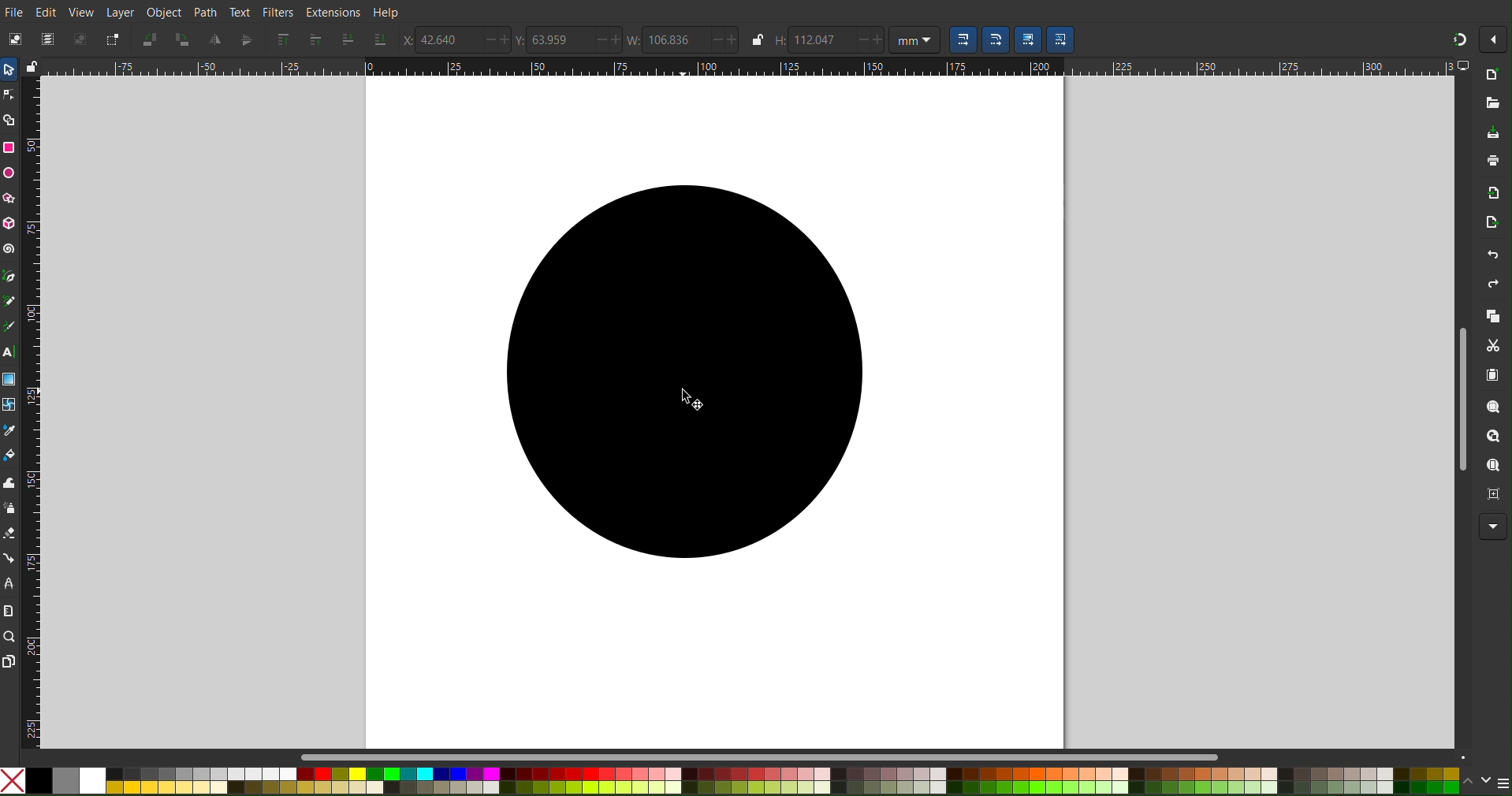  Describe the element at coordinates (10, 352) in the screenshot. I see `Text Tool` at that location.